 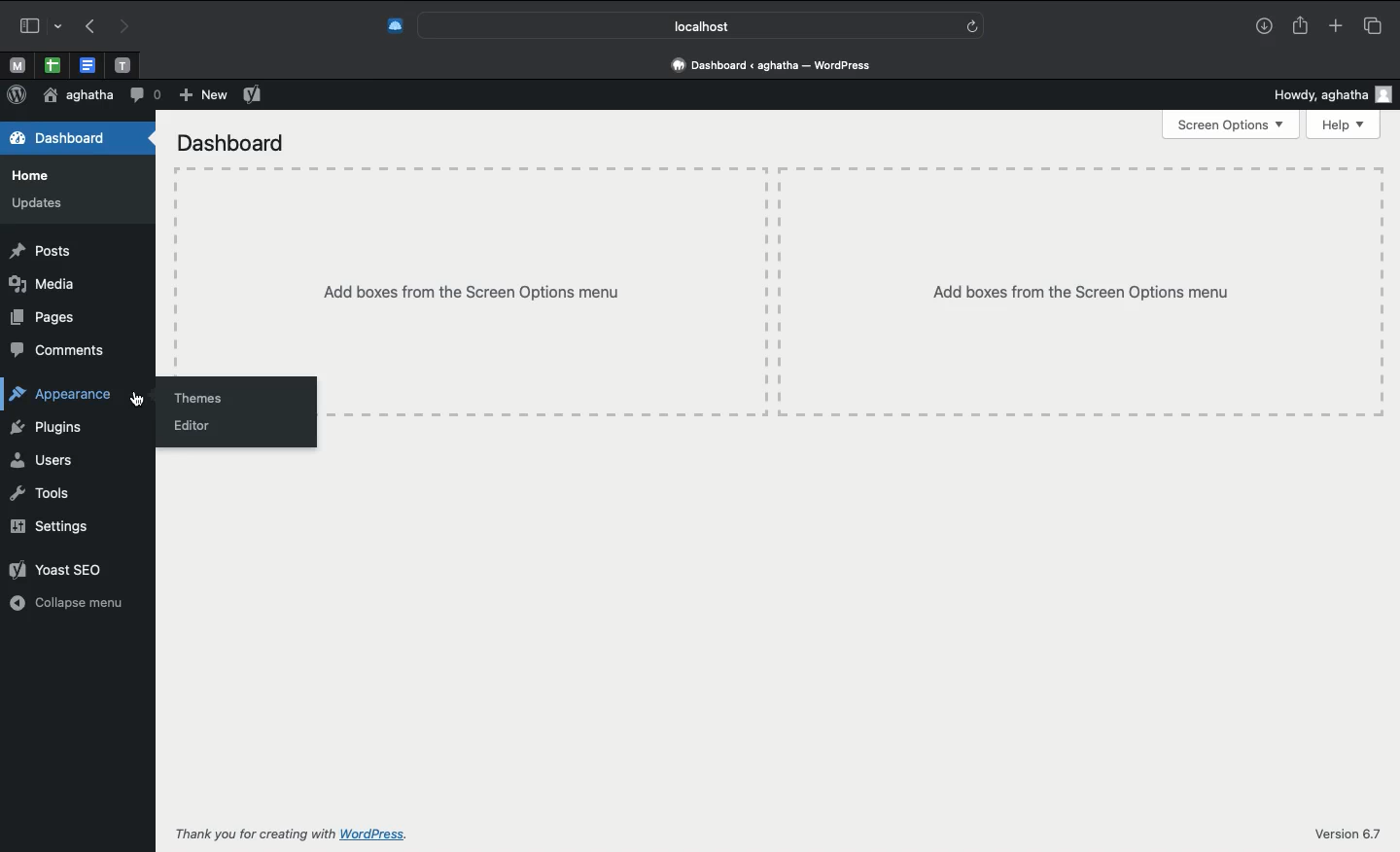 What do you see at coordinates (199, 394) in the screenshot?
I see `Themes` at bounding box center [199, 394].